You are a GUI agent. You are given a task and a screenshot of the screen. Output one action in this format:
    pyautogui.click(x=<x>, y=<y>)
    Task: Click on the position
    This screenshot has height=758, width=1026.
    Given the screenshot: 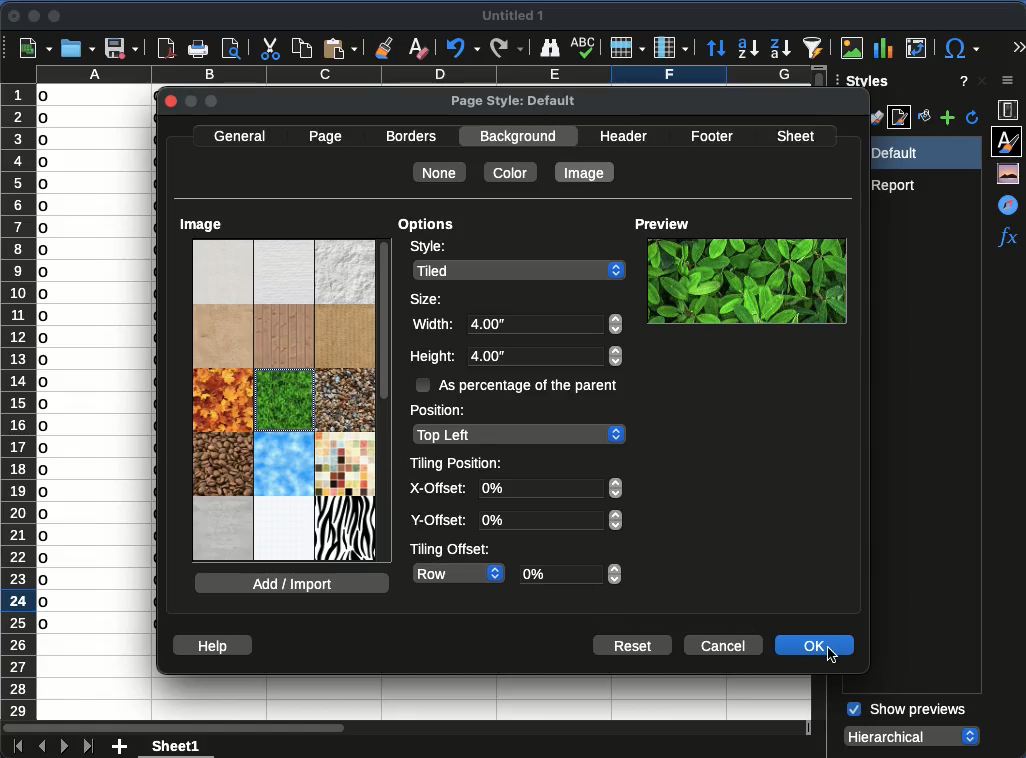 What is the action you would take?
    pyautogui.click(x=442, y=409)
    